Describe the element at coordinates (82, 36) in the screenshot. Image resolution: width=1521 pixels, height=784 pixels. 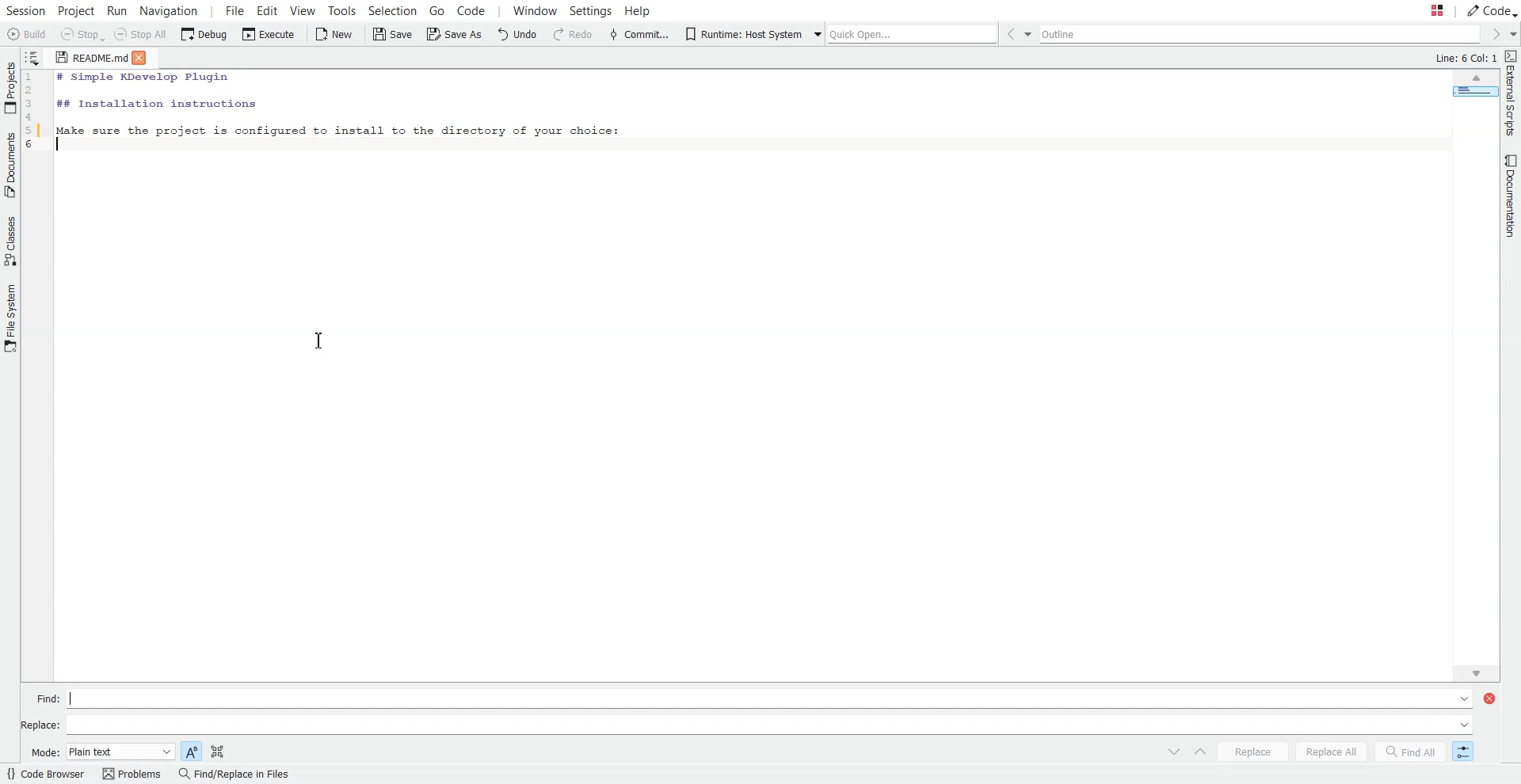
I see `Stop` at that location.